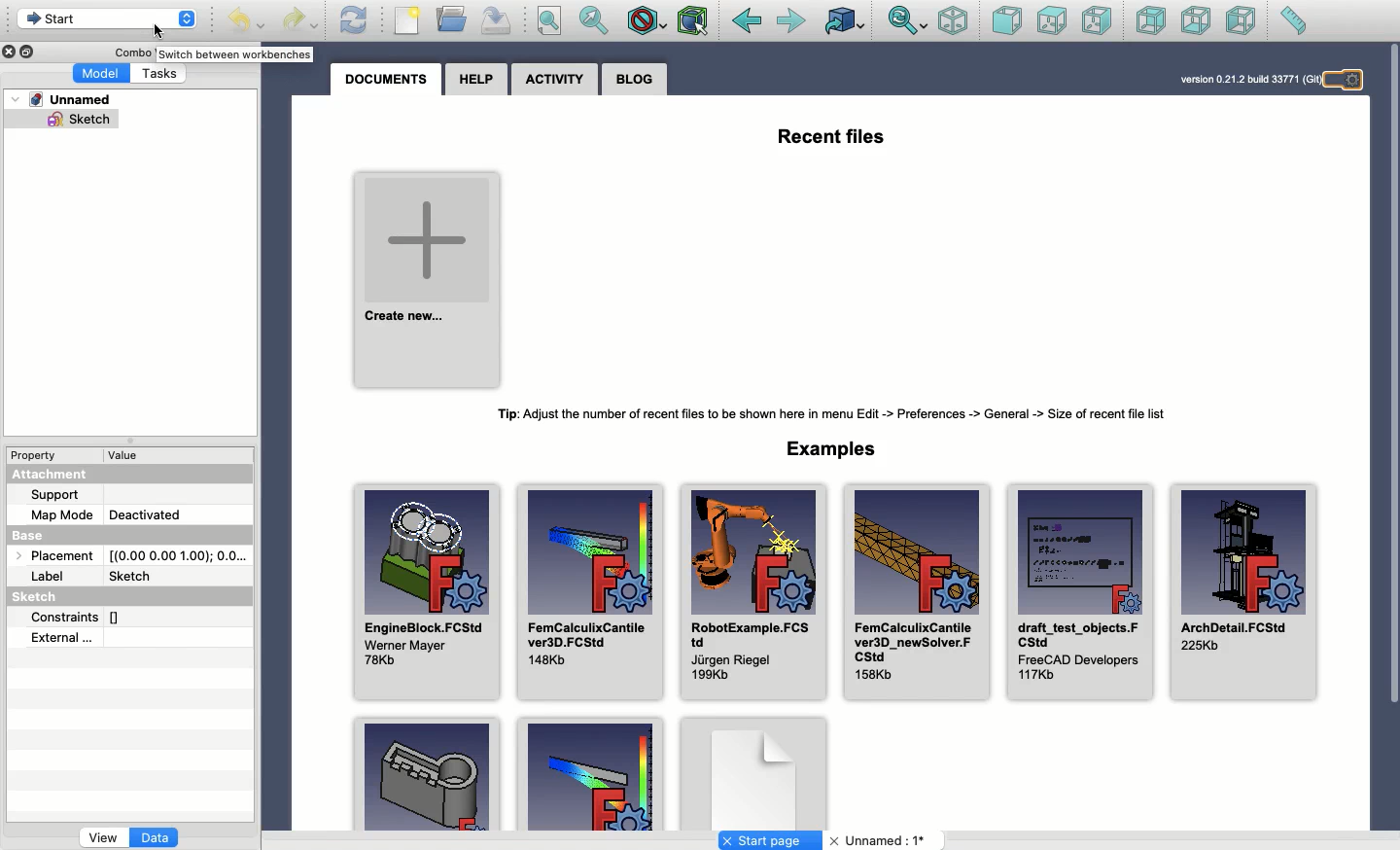 The image size is (1400, 850). Describe the element at coordinates (1246, 79) in the screenshot. I see `Version` at that location.